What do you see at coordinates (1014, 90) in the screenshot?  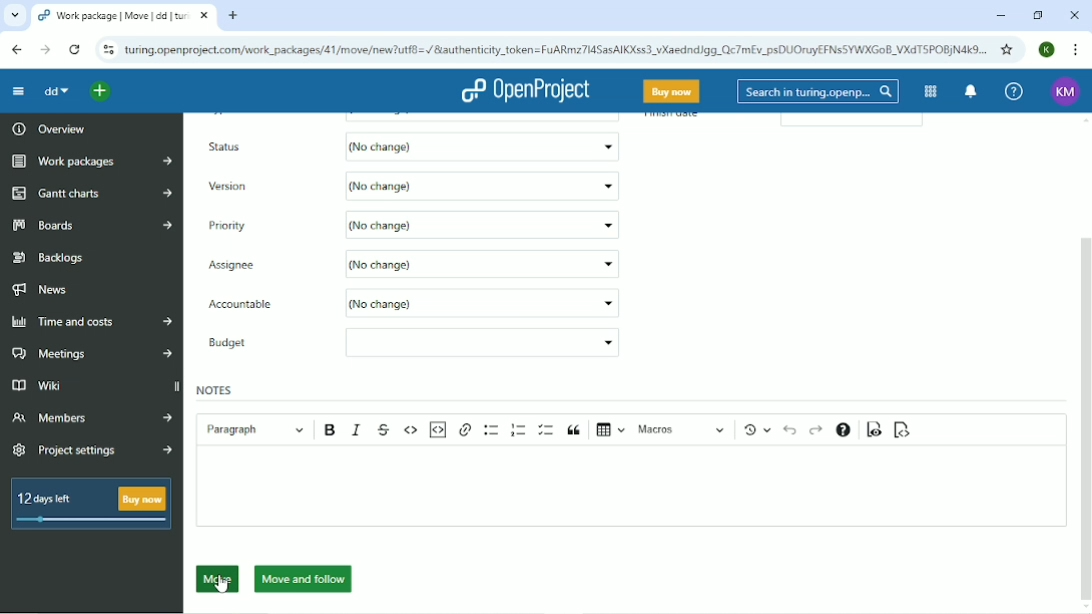 I see `Help` at bounding box center [1014, 90].